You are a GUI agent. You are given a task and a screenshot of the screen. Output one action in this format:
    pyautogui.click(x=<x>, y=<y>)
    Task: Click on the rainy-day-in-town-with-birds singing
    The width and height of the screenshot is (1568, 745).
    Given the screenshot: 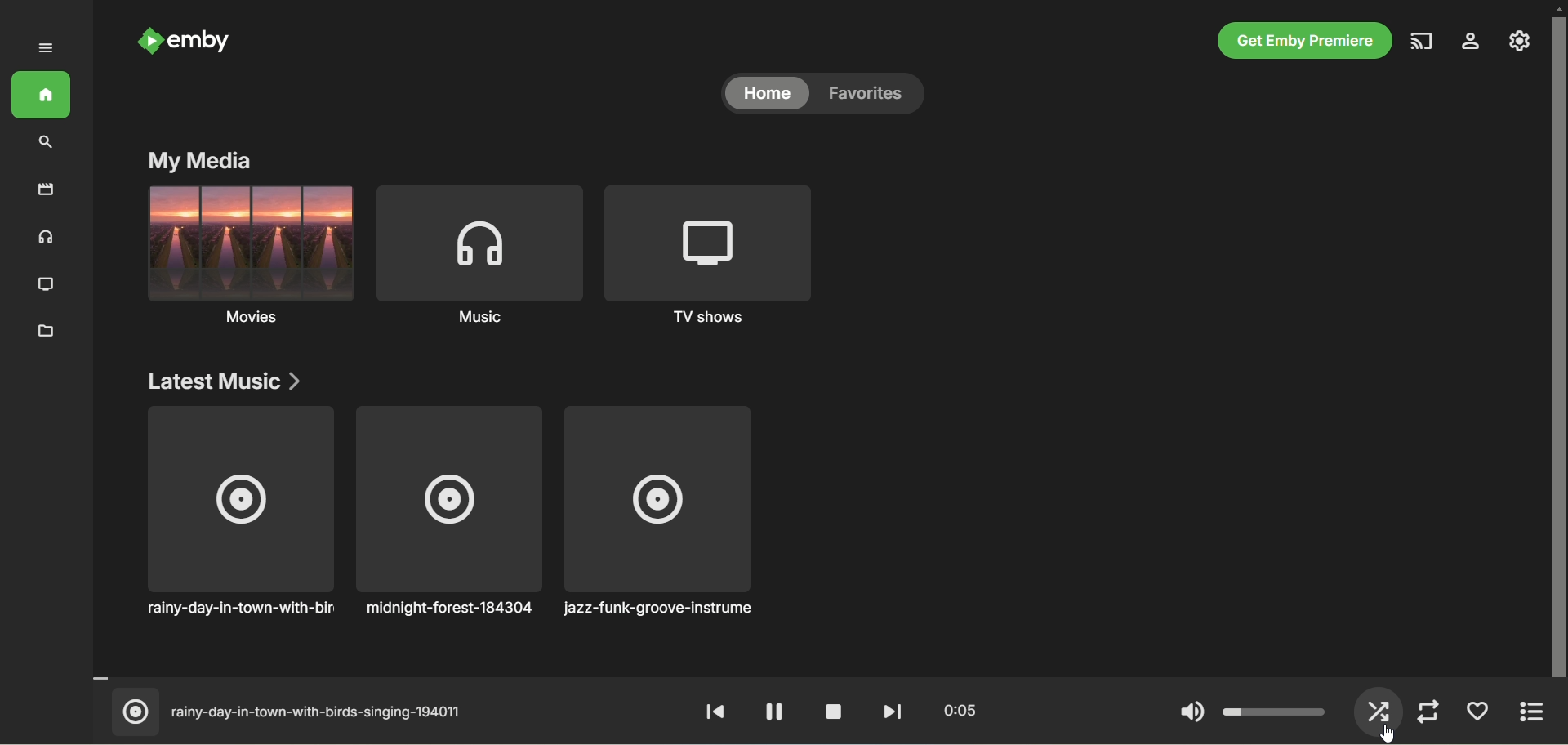 What is the action you would take?
    pyautogui.click(x=244, y=511)
    